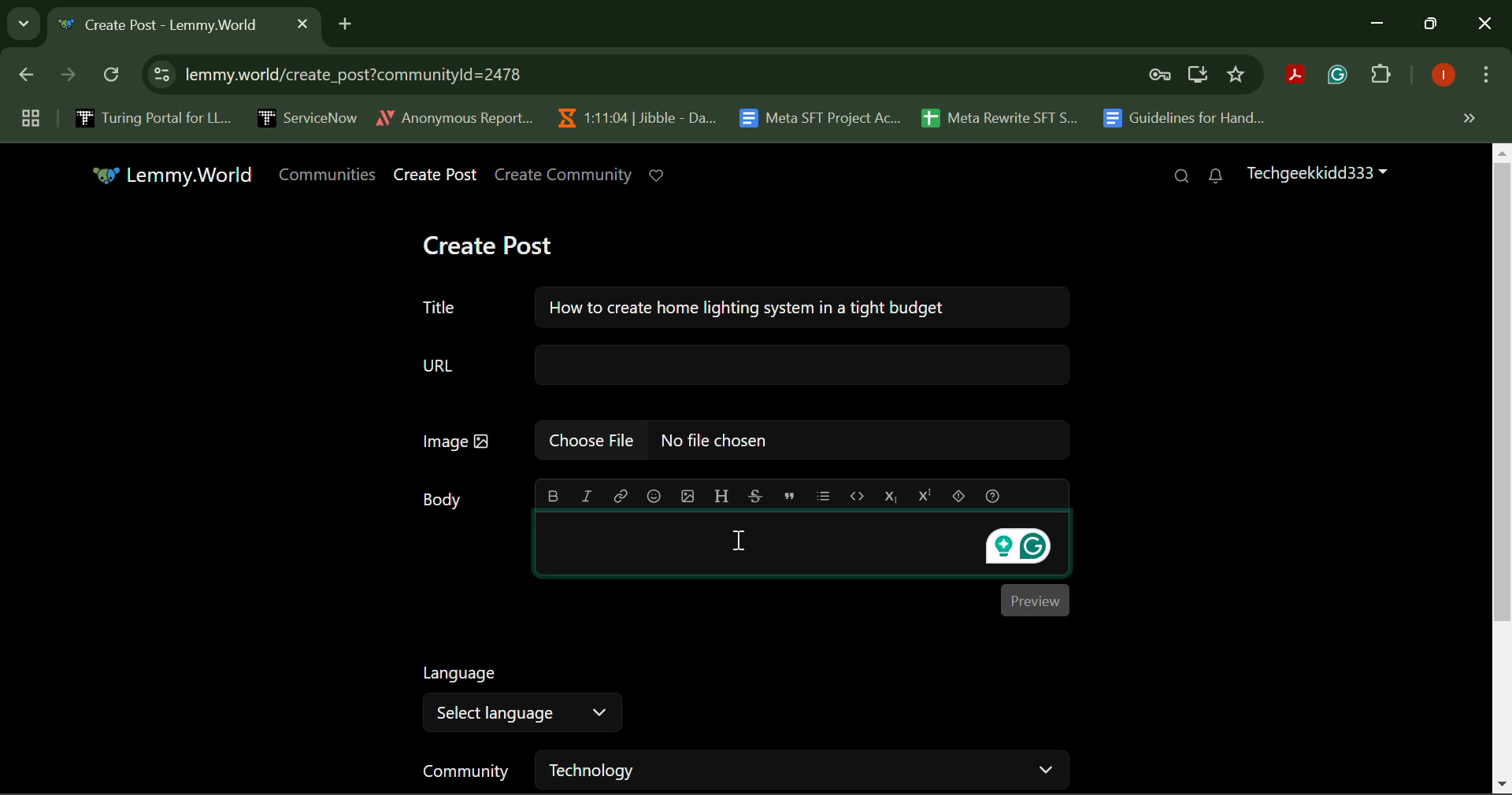 This screenshot has width=1512, height=795. Describe the element at coordinates (1485, 25) in the screenshot. I see `Close Window` at that location.